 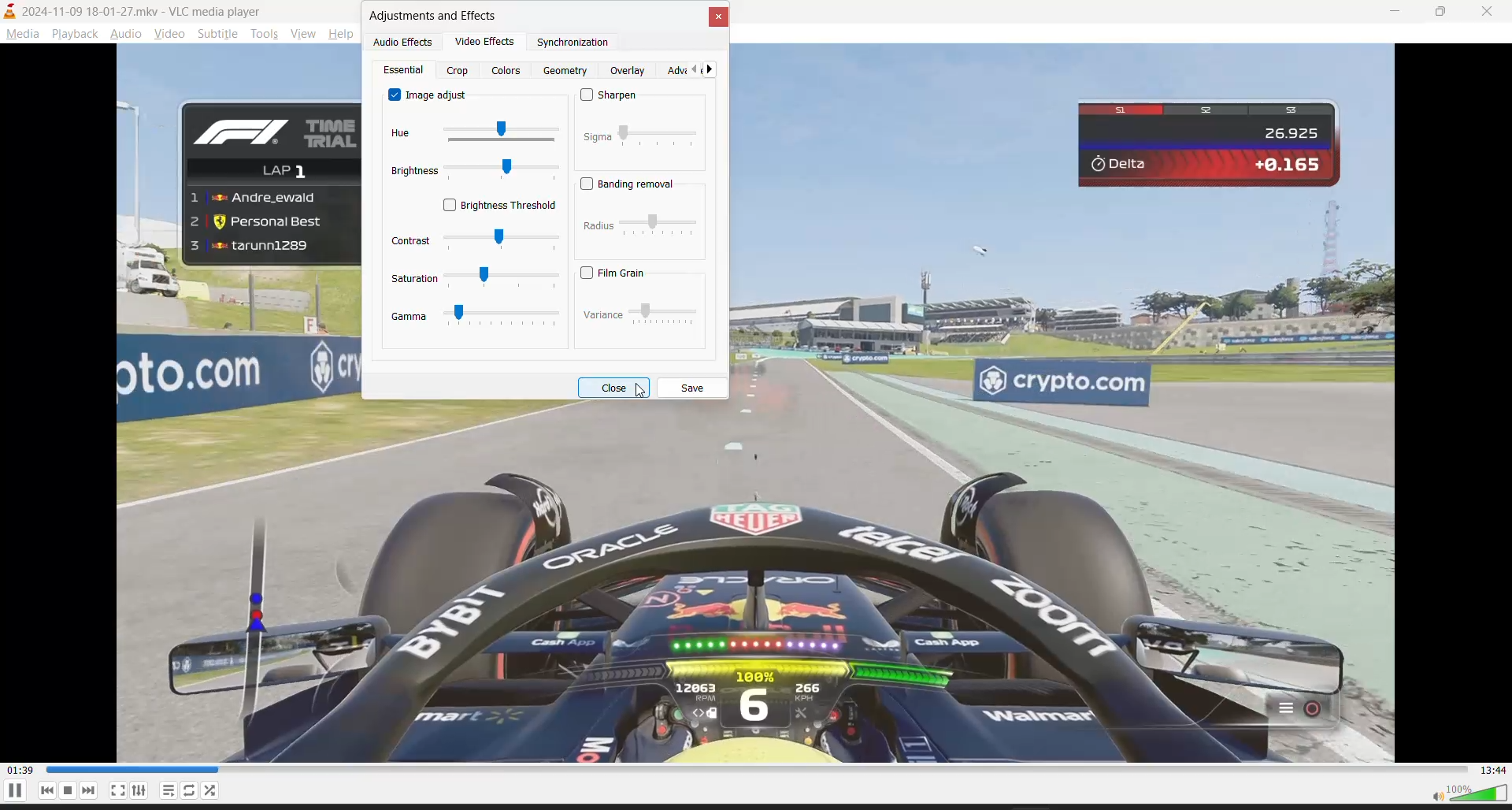 I want to click on maximize, so click(x=1442, y=10).